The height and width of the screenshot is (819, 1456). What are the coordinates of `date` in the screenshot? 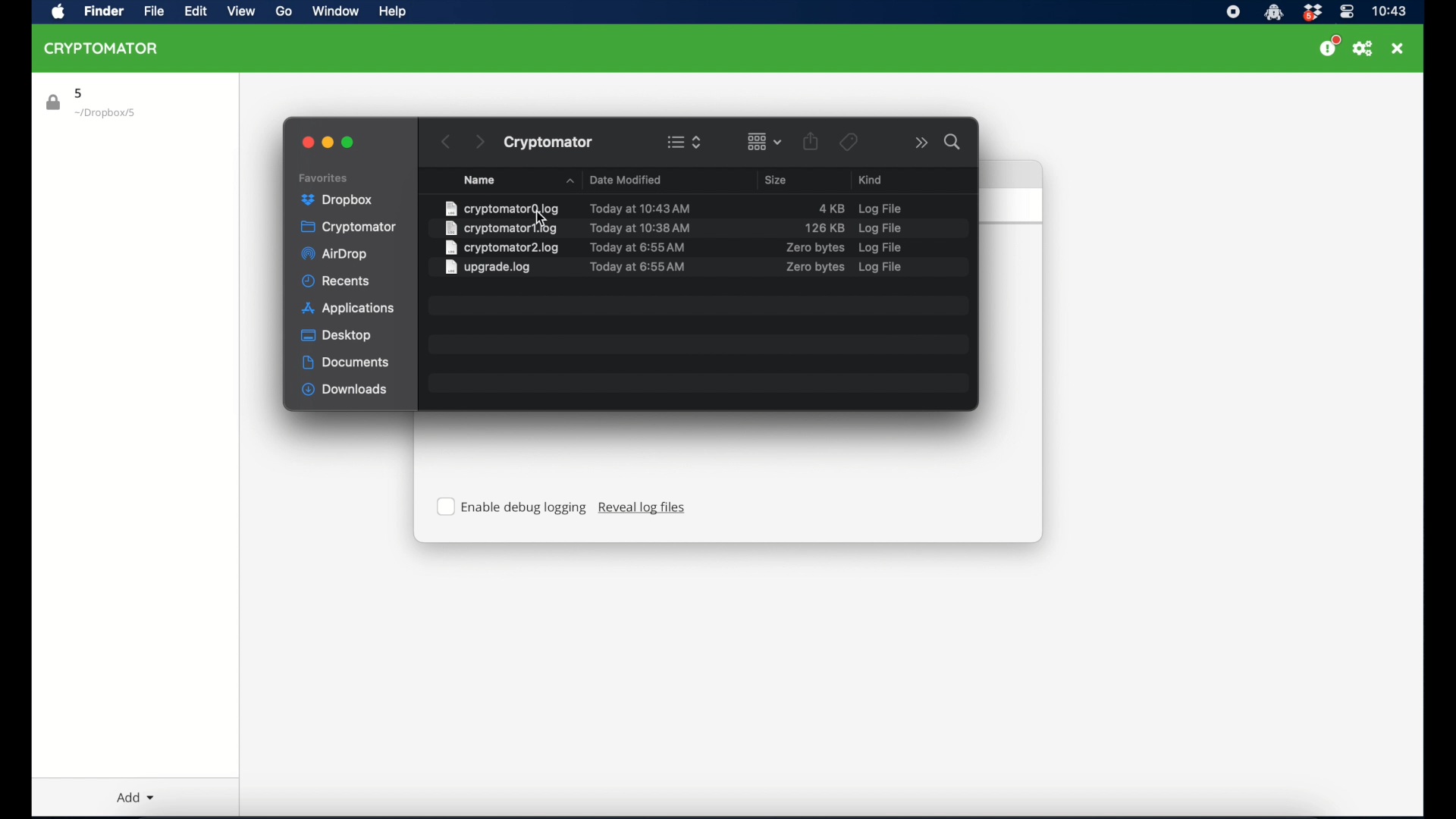 It's located at (637, 247).